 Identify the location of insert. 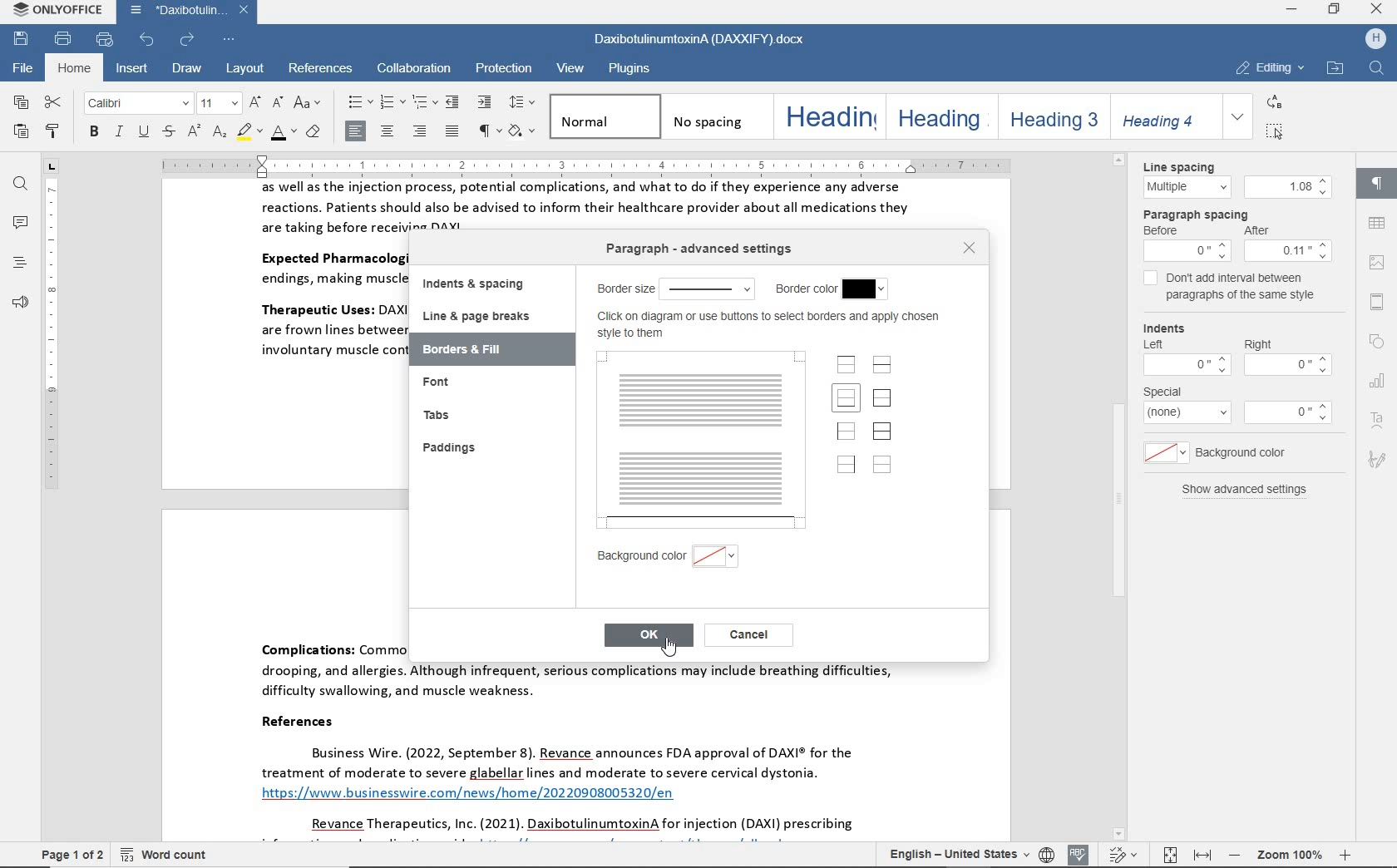
(134, 69).